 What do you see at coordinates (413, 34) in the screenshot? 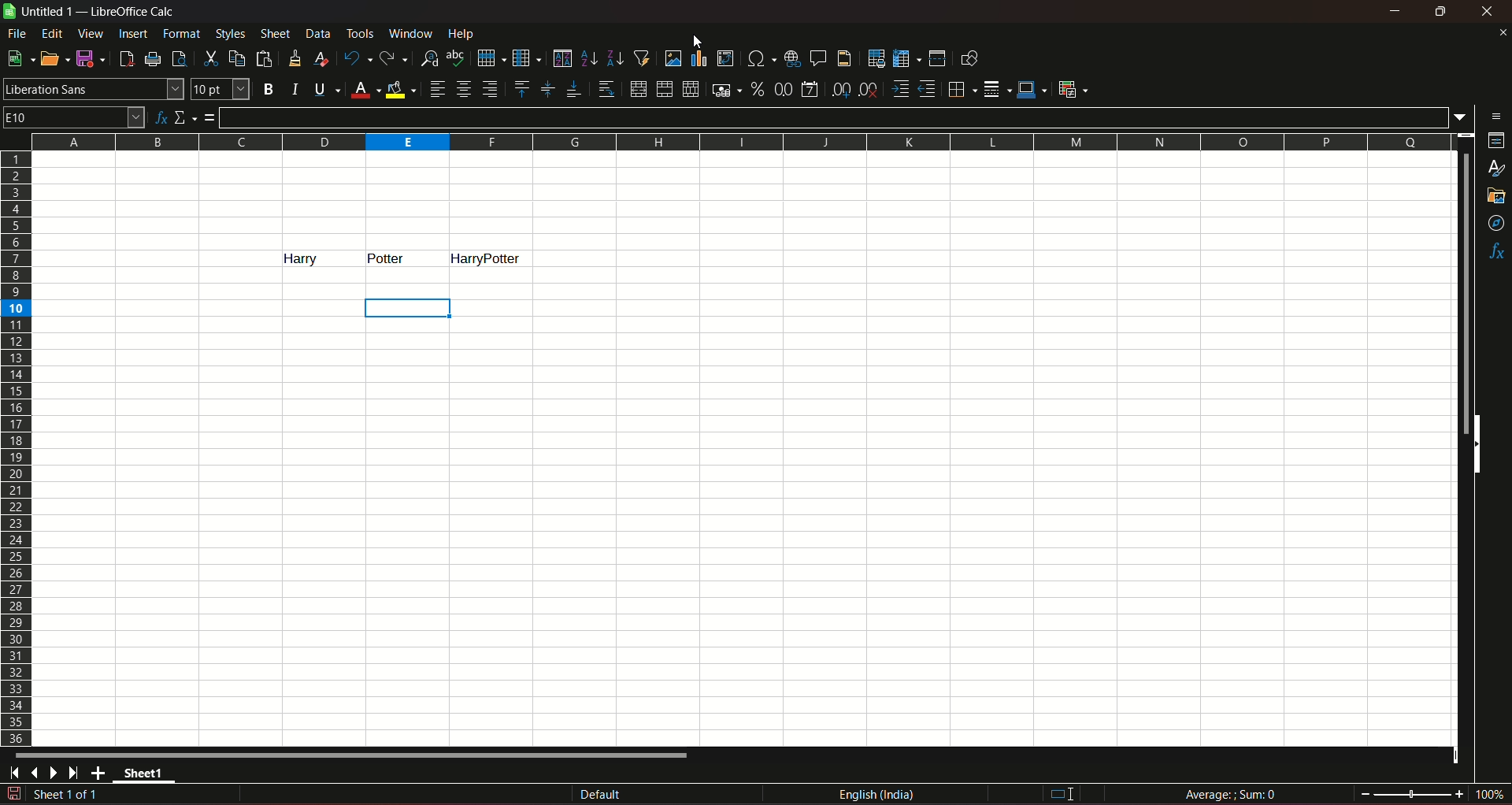
I see `window` at bounding box center [413, 34].